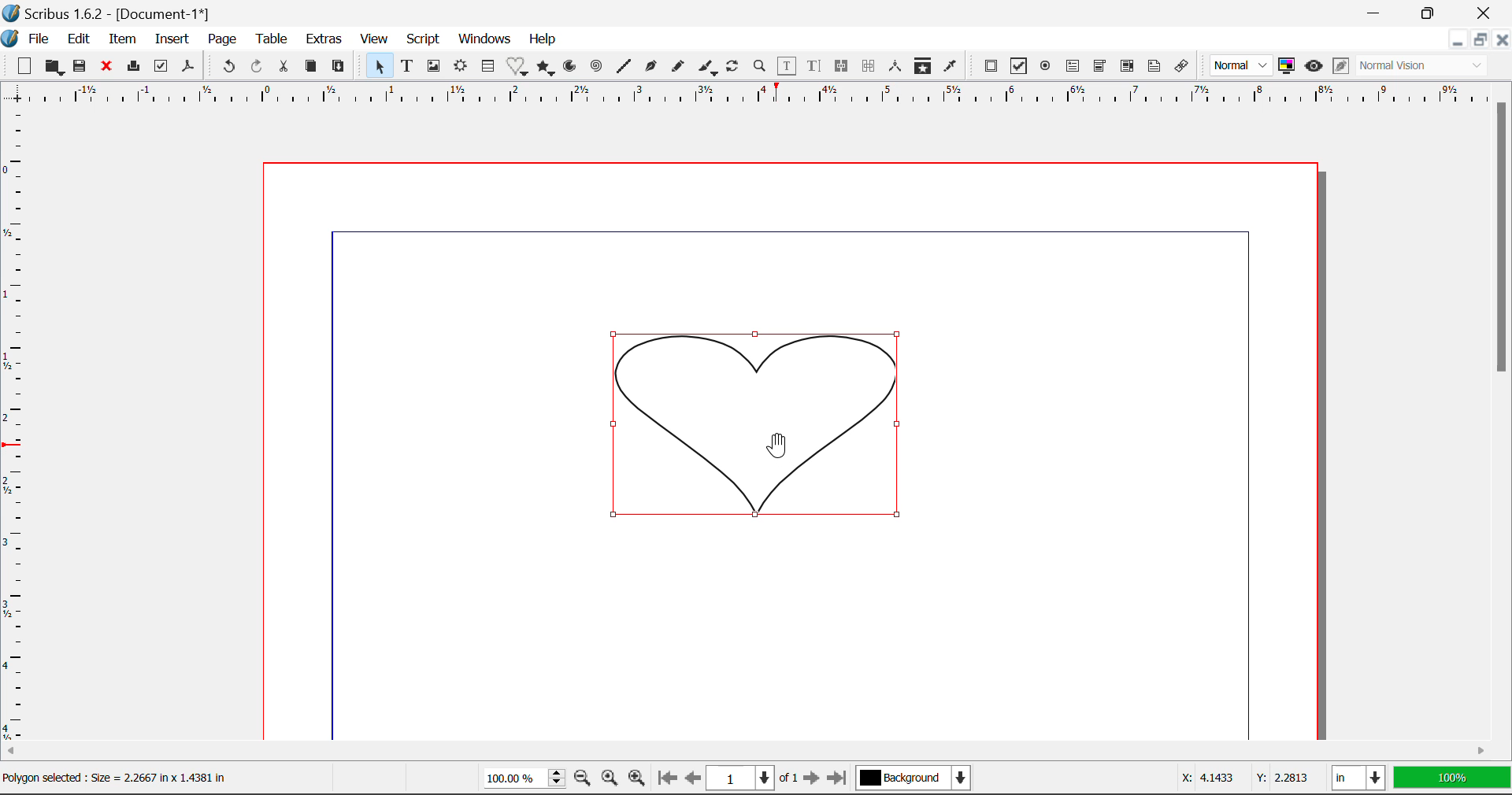 This screenshot has height=795, width=1512. What do you see at coordinates (1128, 68) in the screenshot?
I see `Pdf List box` at bounding box center [1128, 68].